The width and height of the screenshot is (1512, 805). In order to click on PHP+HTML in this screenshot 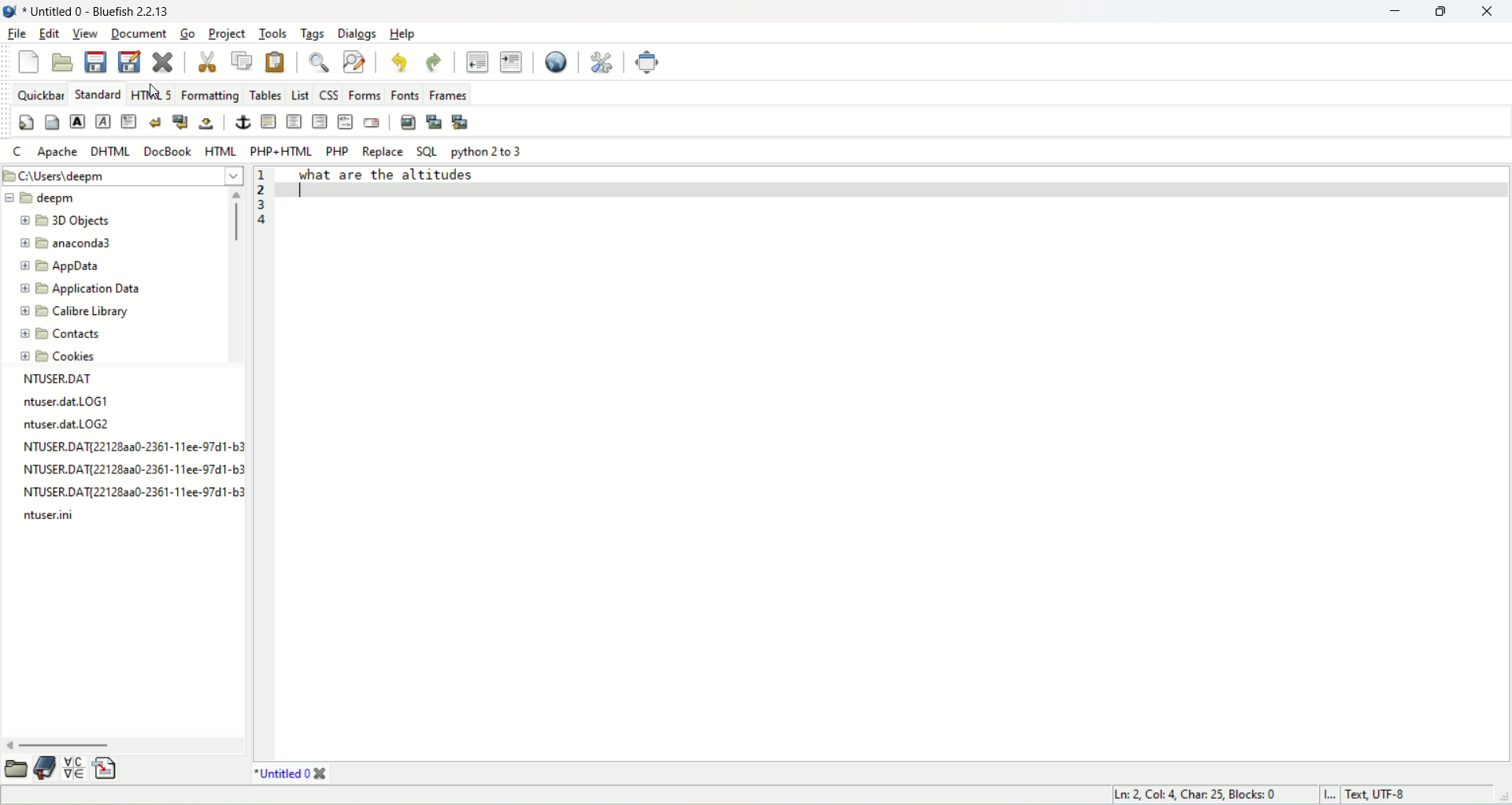, I will do `click(281, 152)`.